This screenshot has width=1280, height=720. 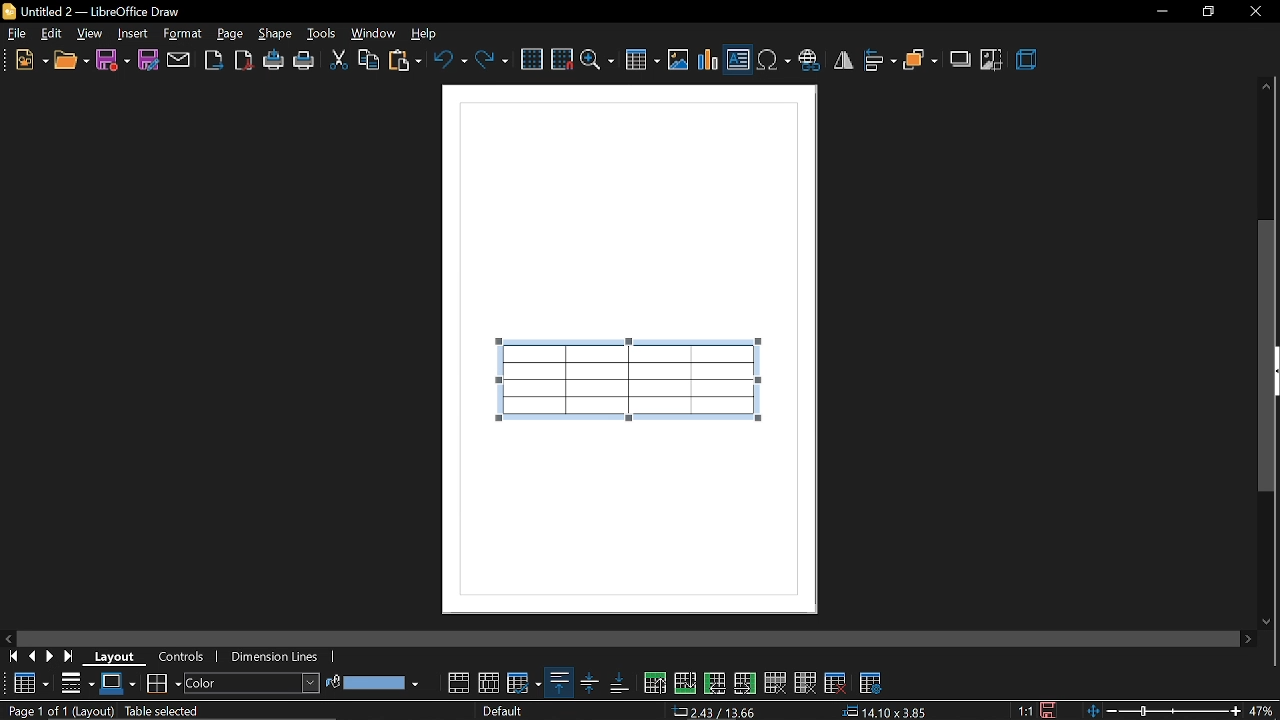 What do you see at coordinates (620, 682) in the screenshot?
I see `align bottom` at bounding box center [620, 682].